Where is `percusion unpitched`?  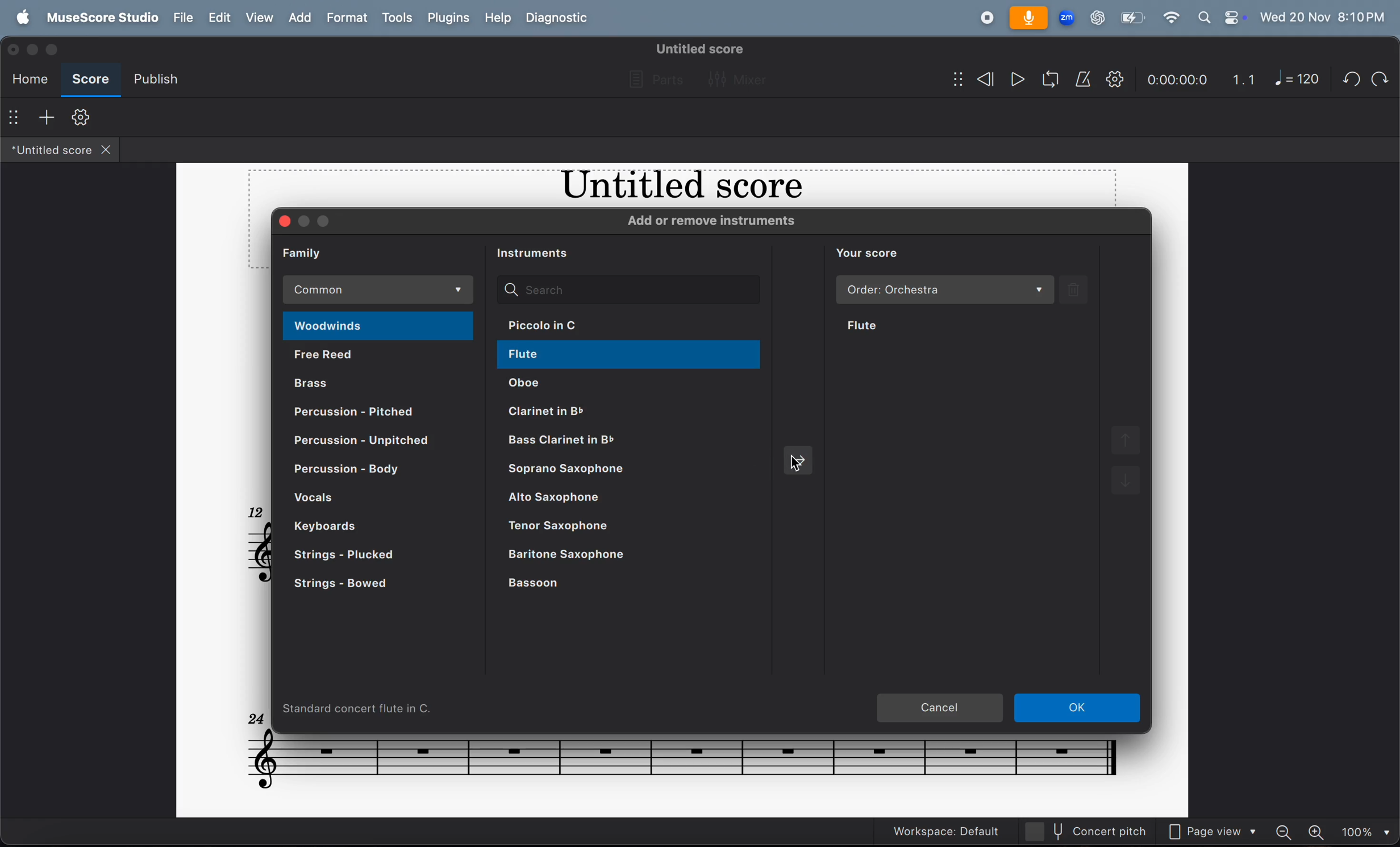 percusion unpitched is located at coordinates (376, 443).